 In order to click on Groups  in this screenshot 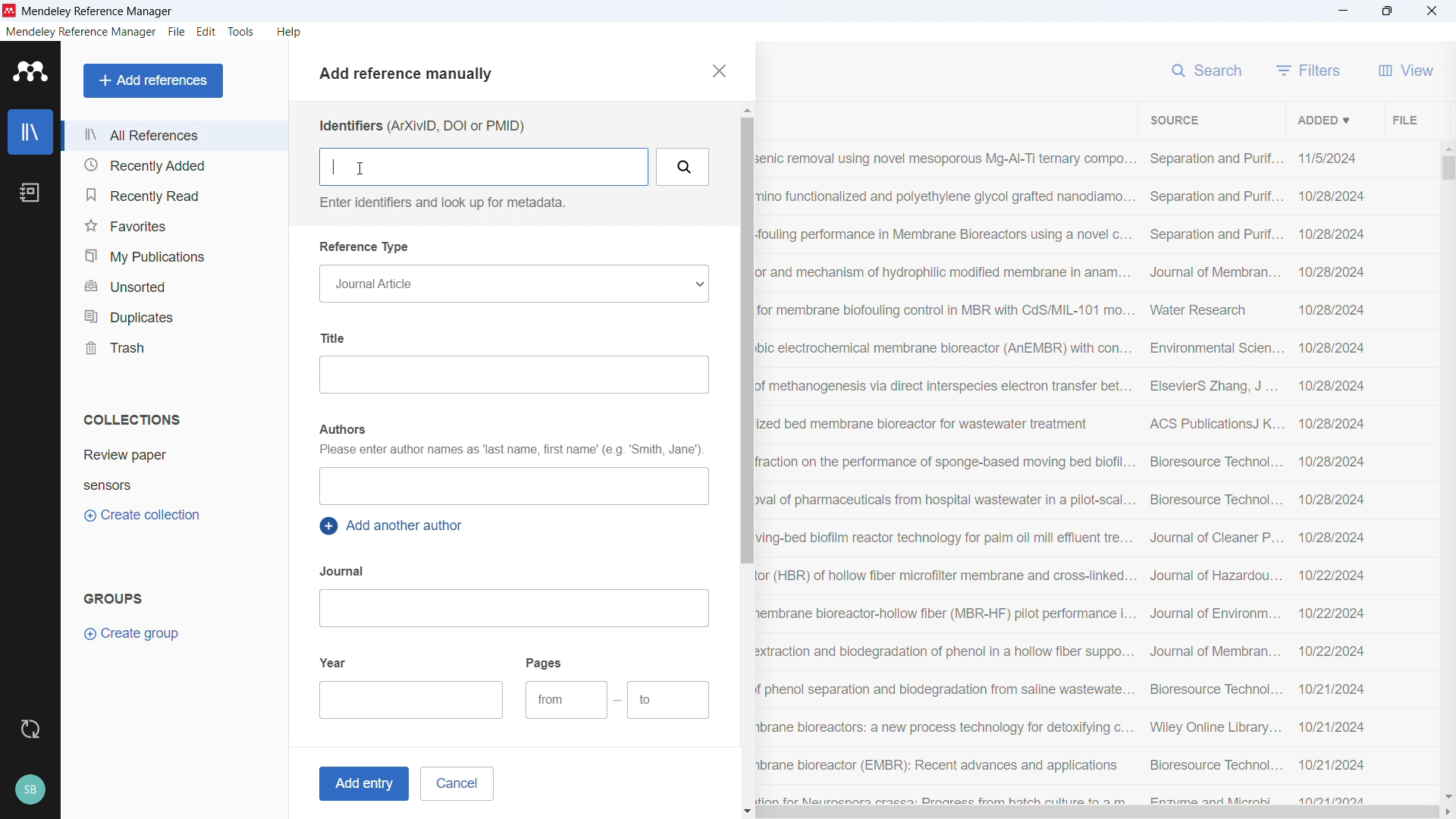, I will do `click(114, 598)`.